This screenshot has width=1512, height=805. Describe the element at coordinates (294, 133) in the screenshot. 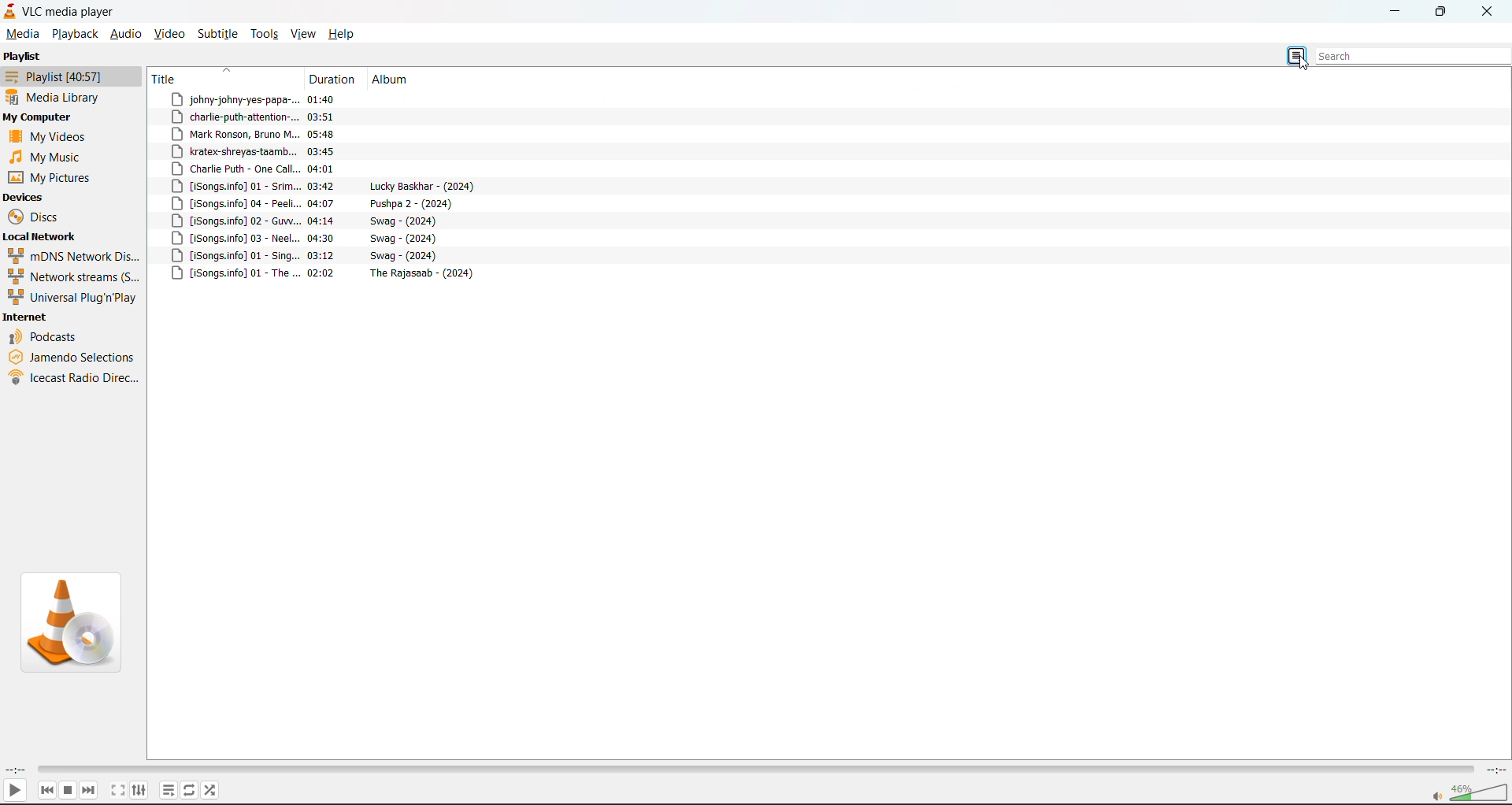

I see `track title with duration and album details` at that location.